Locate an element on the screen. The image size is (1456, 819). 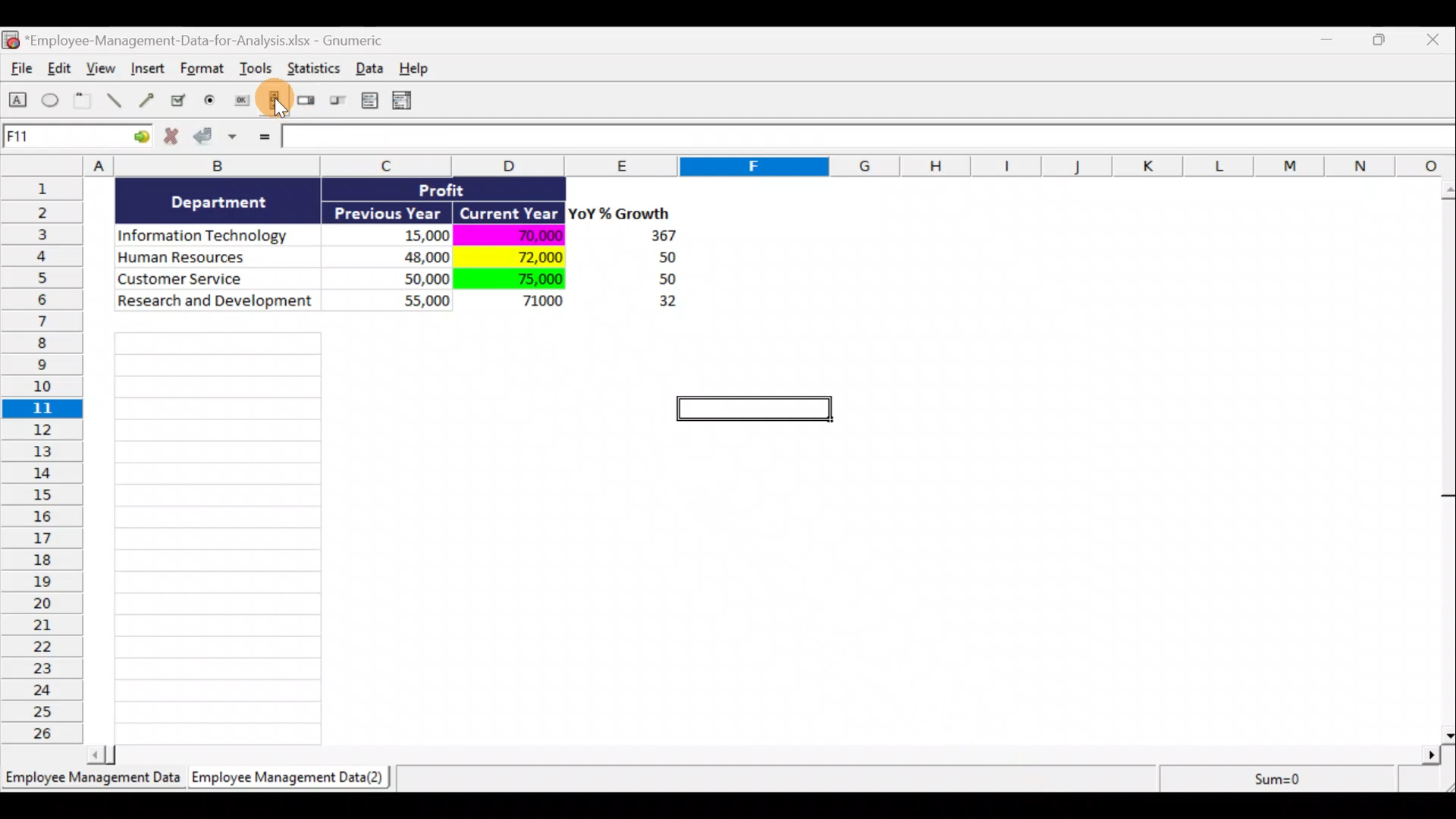
Scroll bar is located at coordinates (769, 752).